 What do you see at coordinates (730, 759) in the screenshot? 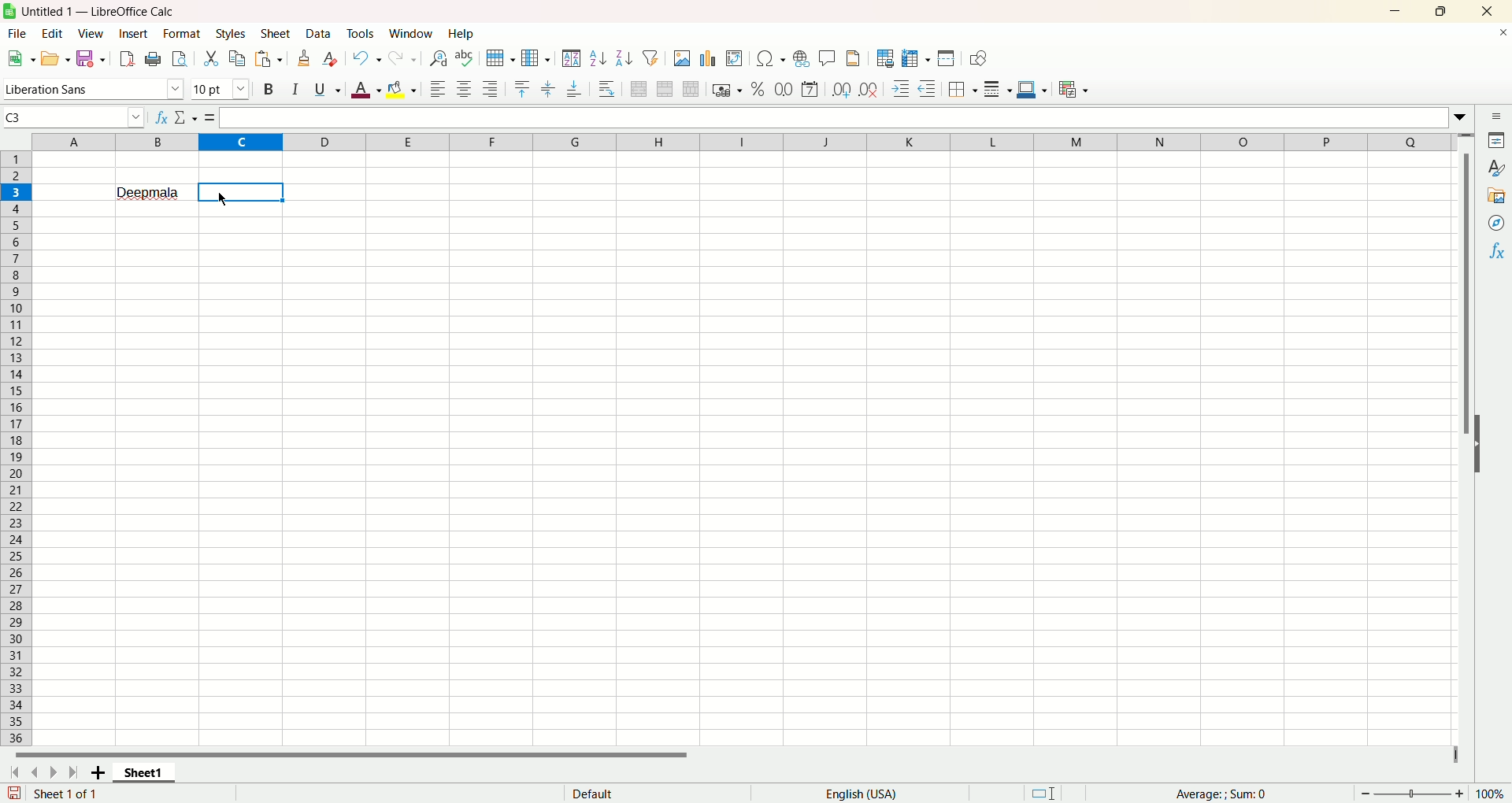
I see `horizontal scroll bar` at bounding box center [730, 759].